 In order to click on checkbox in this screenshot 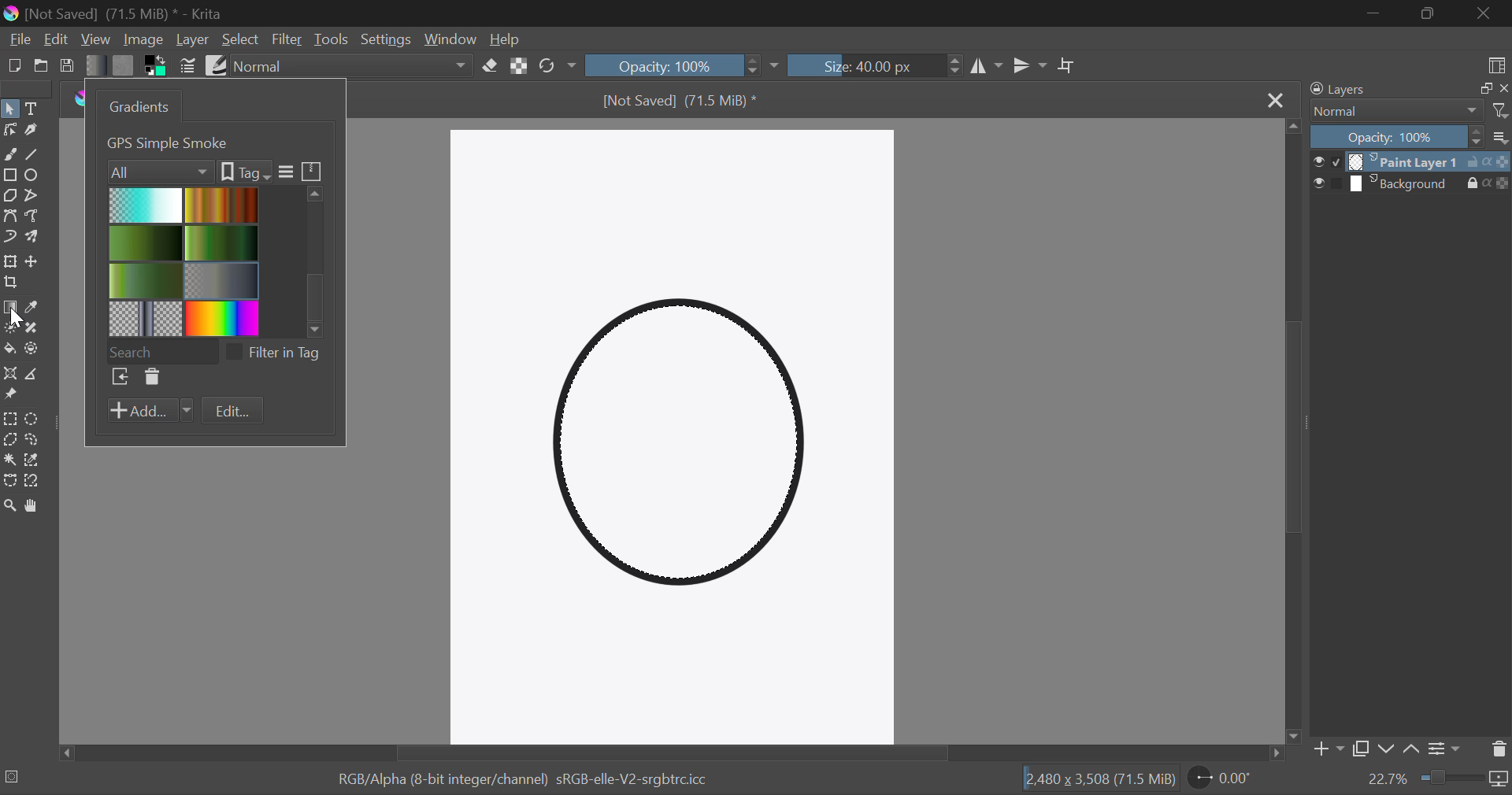, I will do `click(234, 353)`.